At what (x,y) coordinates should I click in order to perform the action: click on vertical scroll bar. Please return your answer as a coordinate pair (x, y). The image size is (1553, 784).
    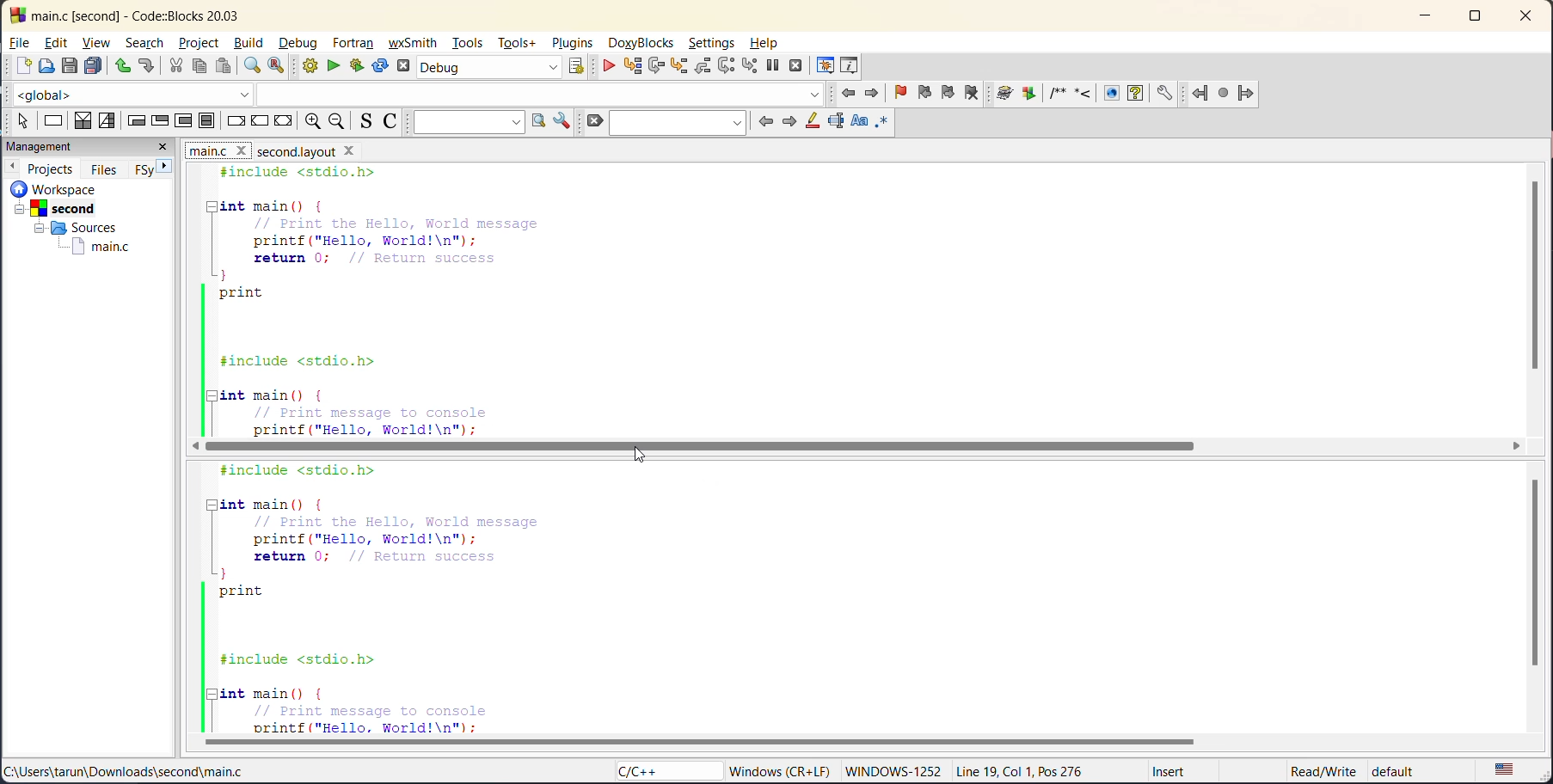
    Looking at the image, I should click on (1537, 573).